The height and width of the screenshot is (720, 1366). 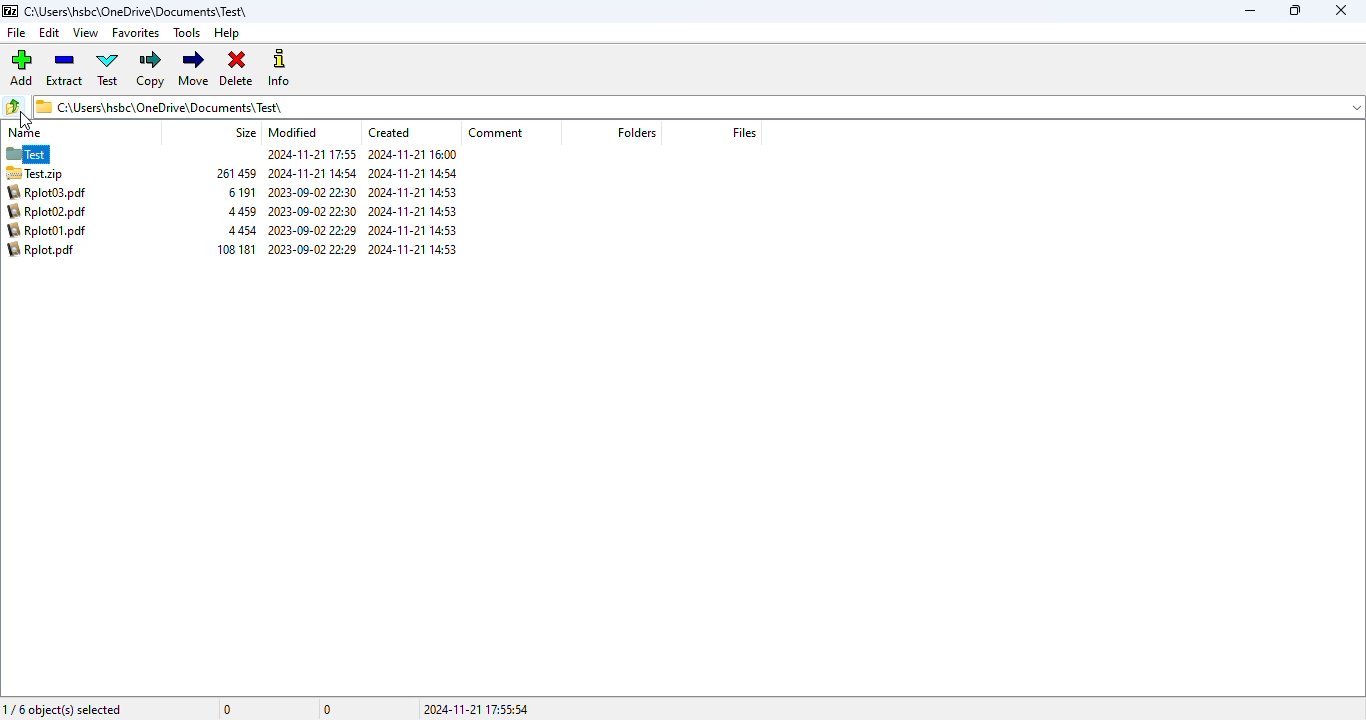 What do you see at coordinates (412, 231) in the screenshot?
I see `2024-11-21 14:53` at bounding box center [412, 231].